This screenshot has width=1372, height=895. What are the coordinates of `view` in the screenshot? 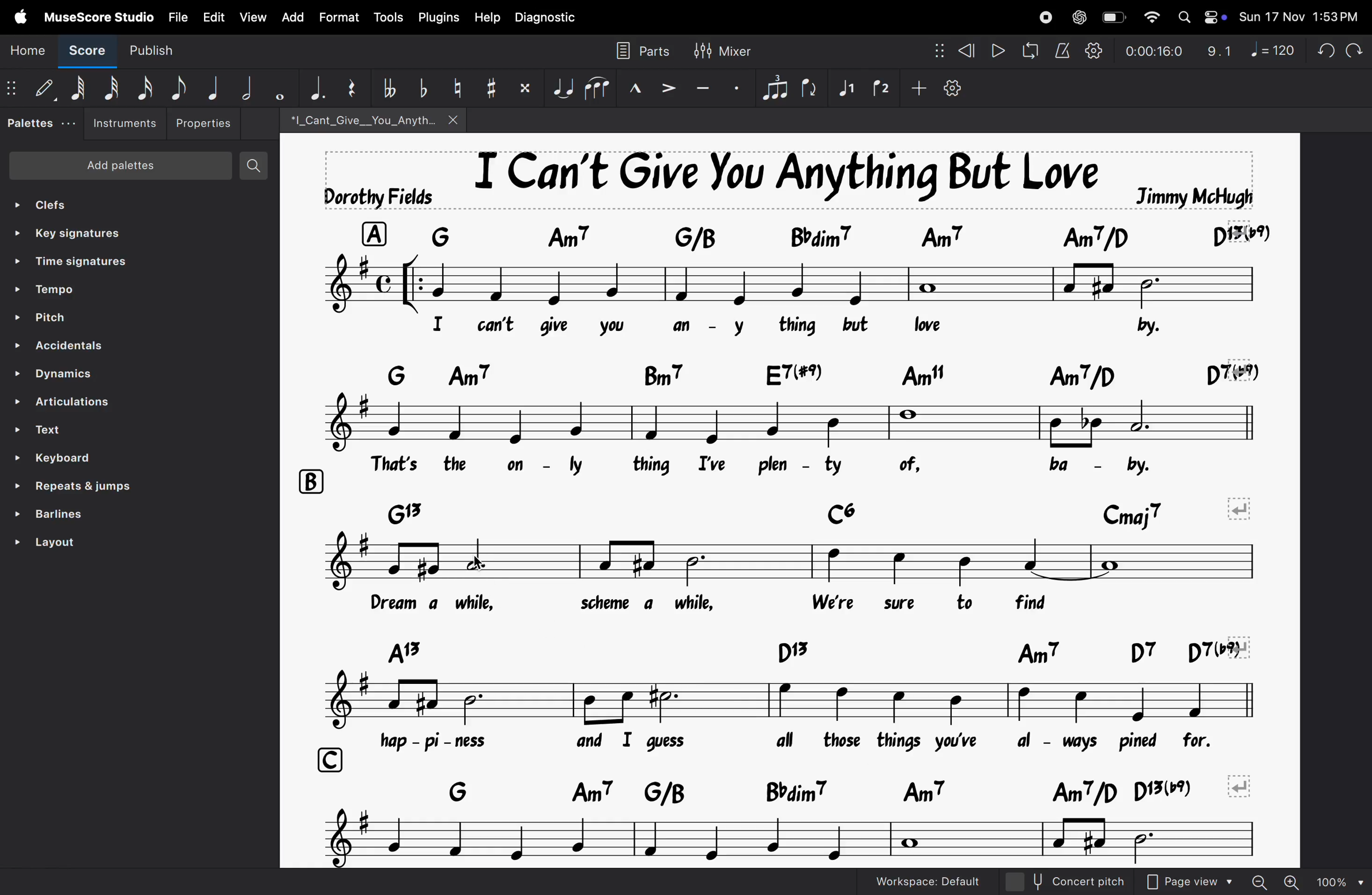 It's located at (253, 18).